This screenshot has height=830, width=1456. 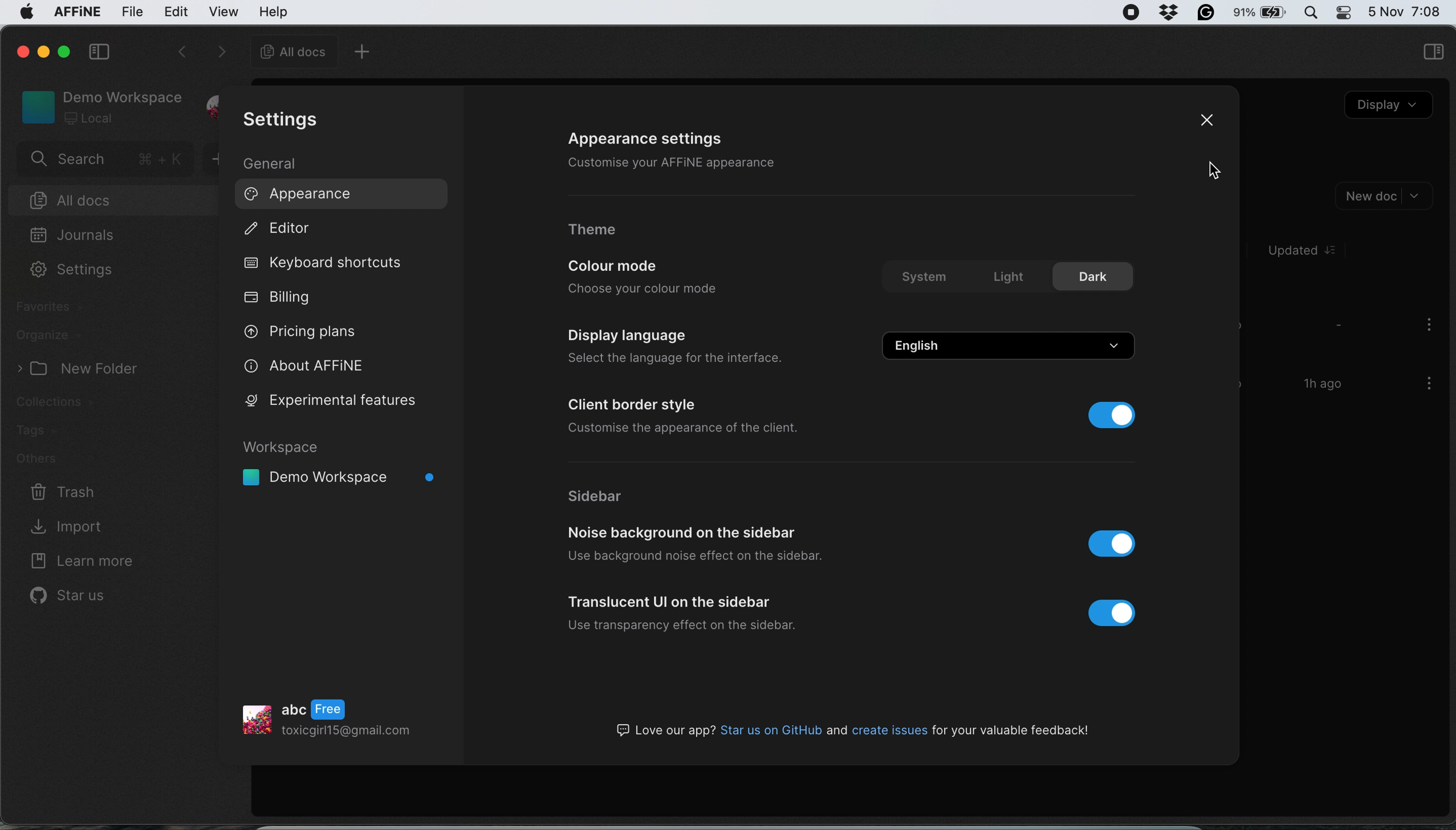 What do you see at coordinates (690, 430) in the screenshot?
I see `customise the appearance of the client` at bounding box center [690, 430].